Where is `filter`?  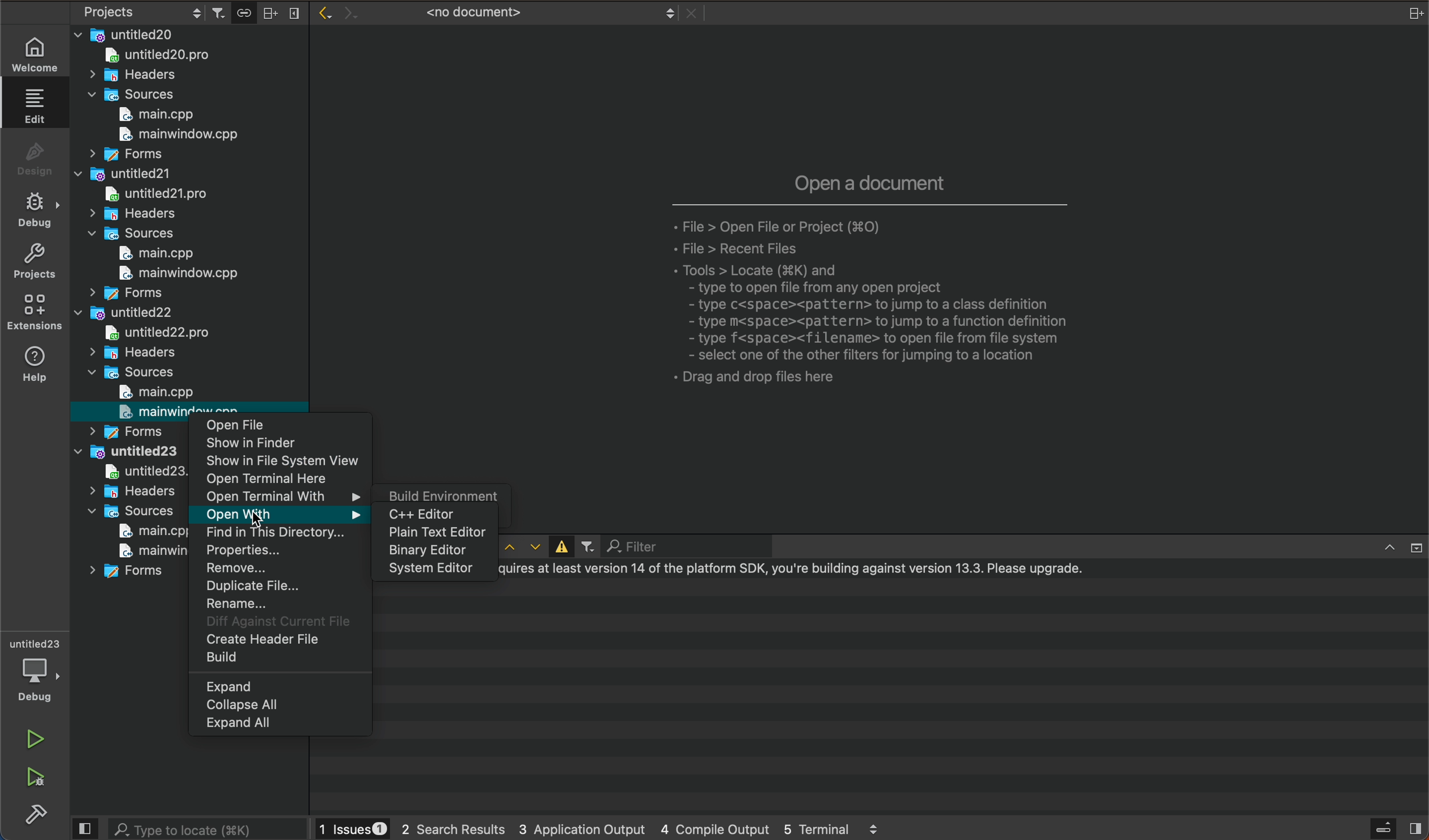 filter is located at coordinates (664, 546).